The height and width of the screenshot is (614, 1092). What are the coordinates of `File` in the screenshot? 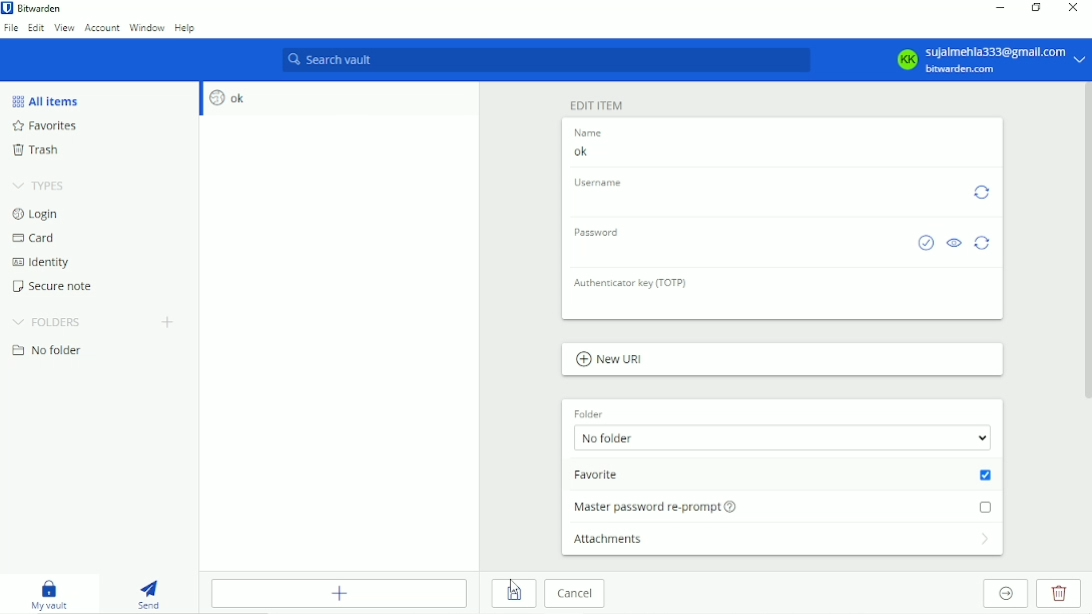 It's located at (11, 29).